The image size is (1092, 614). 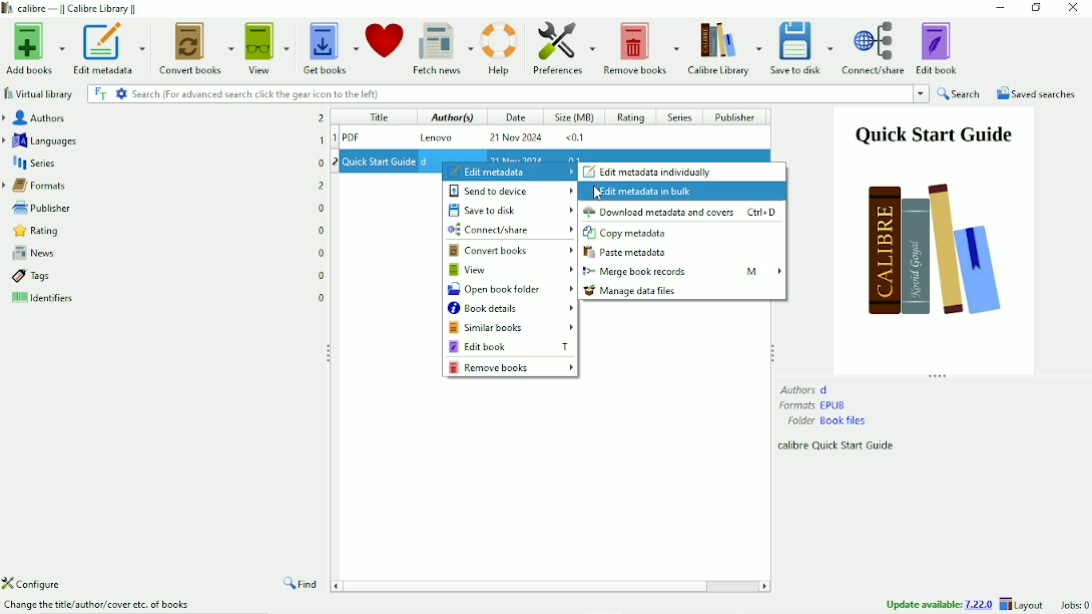 What do you see at coordinates (510, 346) in the screenshot?
I see `Edit book` at bounding box center [510, 346].